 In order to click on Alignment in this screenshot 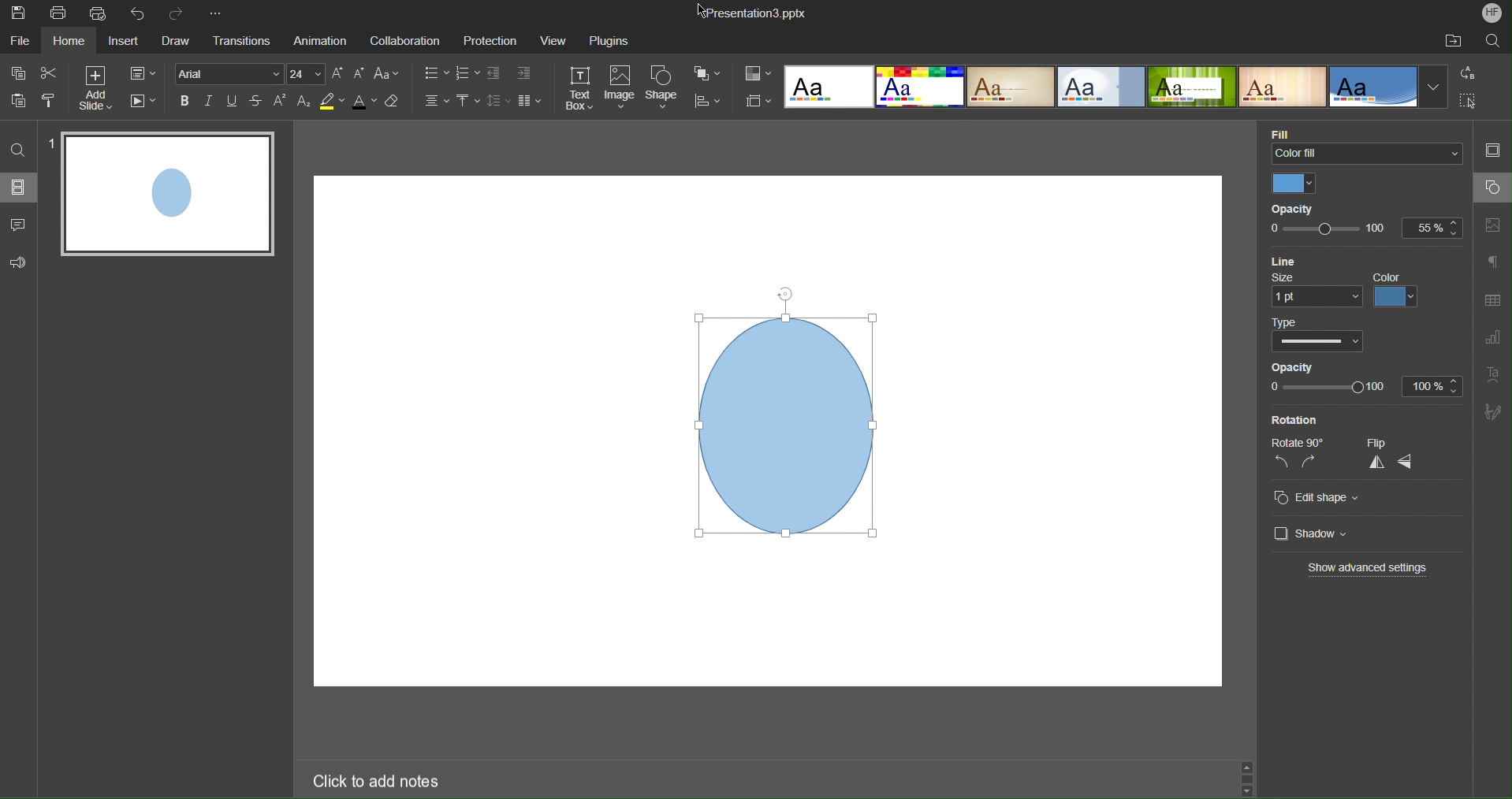, I will do `click(433, 102)`.